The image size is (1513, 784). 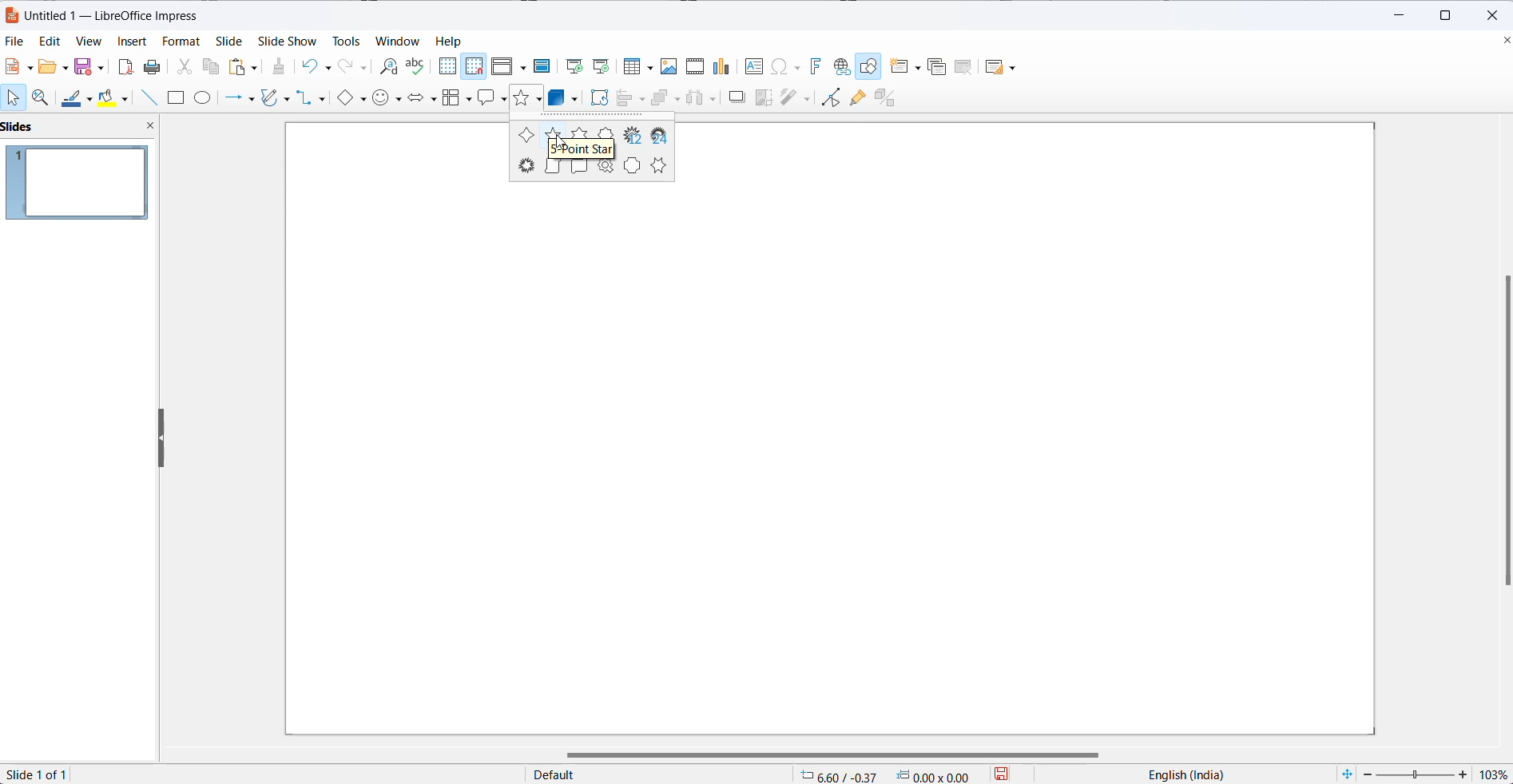 I want to click on align, so click(x=631, y=99).